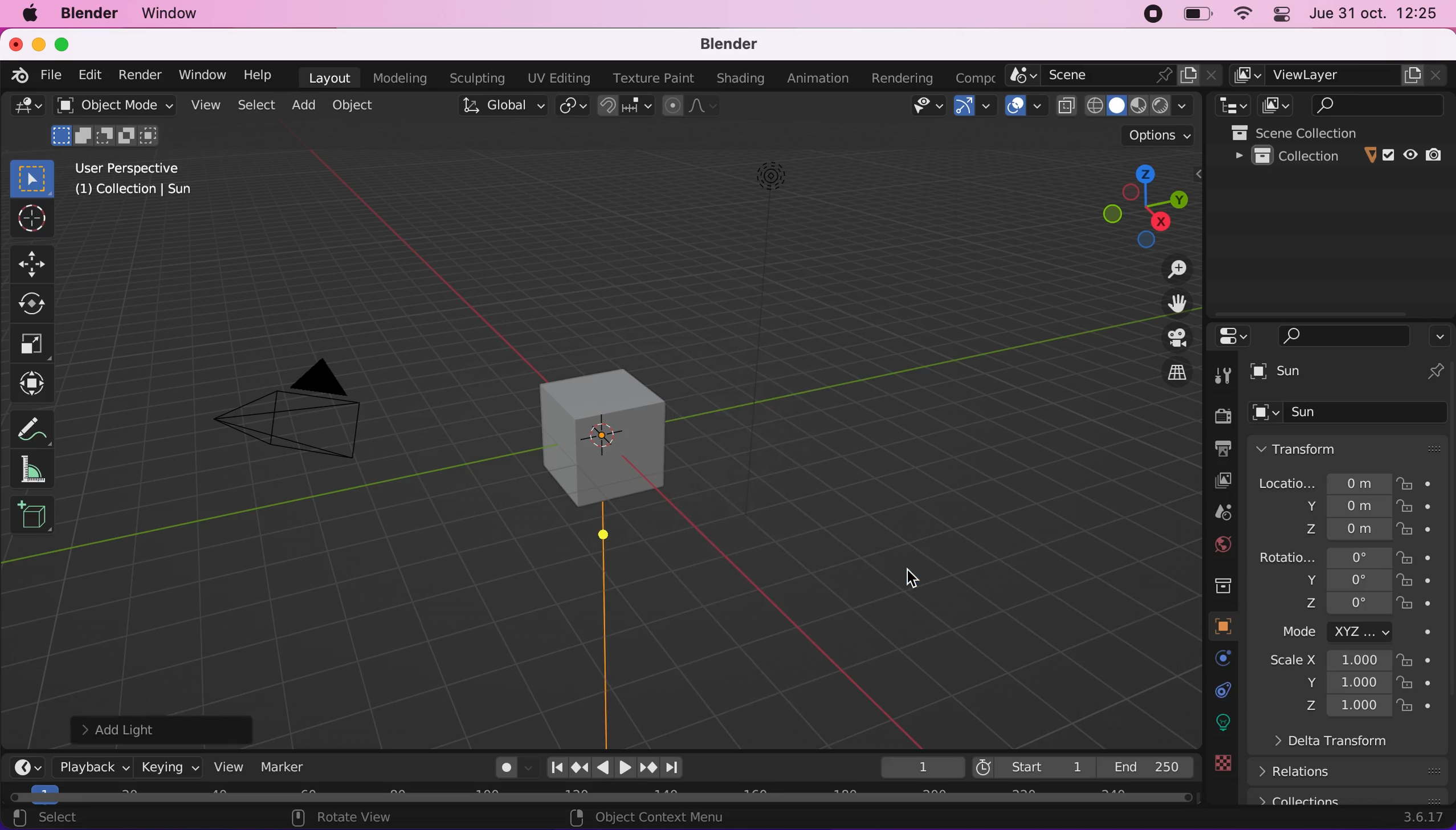 The height and width of the screenshot is (830, 1456). What do you see at coordinates (737, 44) in the screenshot?
I see `blender` at bounding box center [737, 44].